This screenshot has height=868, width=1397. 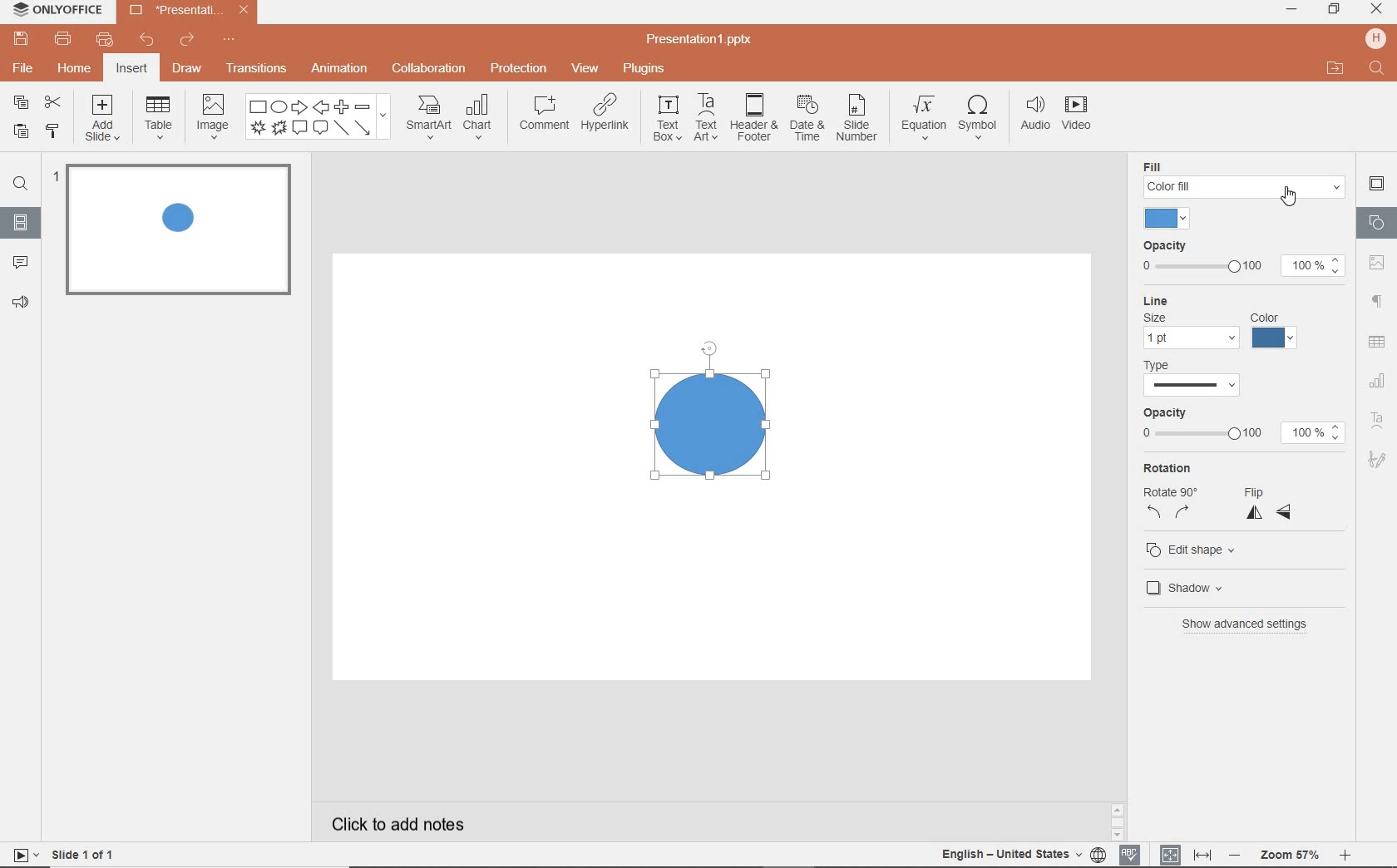 What do you see at coordinates (1248, 187) in the screenshot?
I see `color fill` at bounding box center [1248, 187].